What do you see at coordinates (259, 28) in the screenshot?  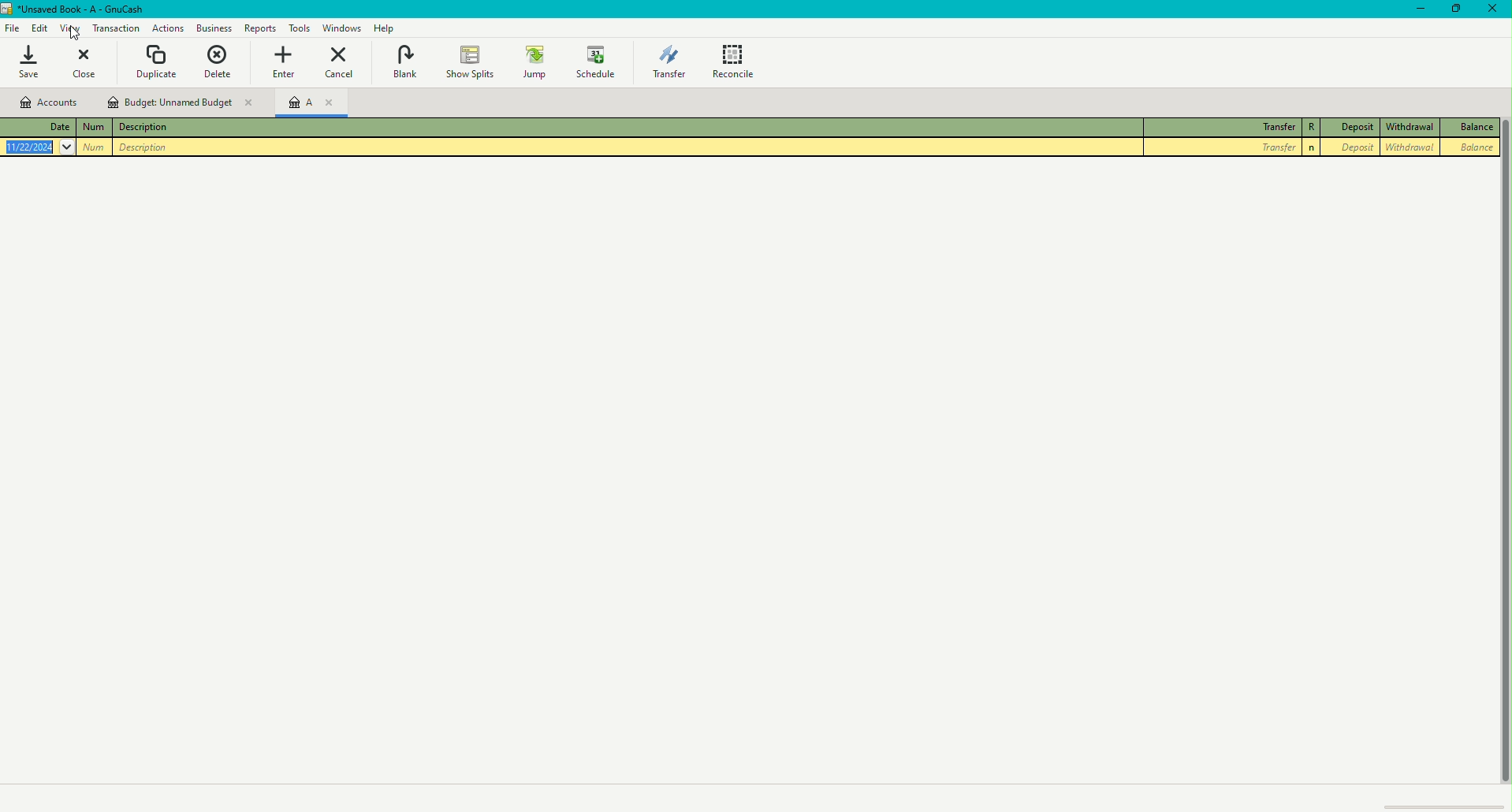 I see `Reports` at bounding box center [259, 28].